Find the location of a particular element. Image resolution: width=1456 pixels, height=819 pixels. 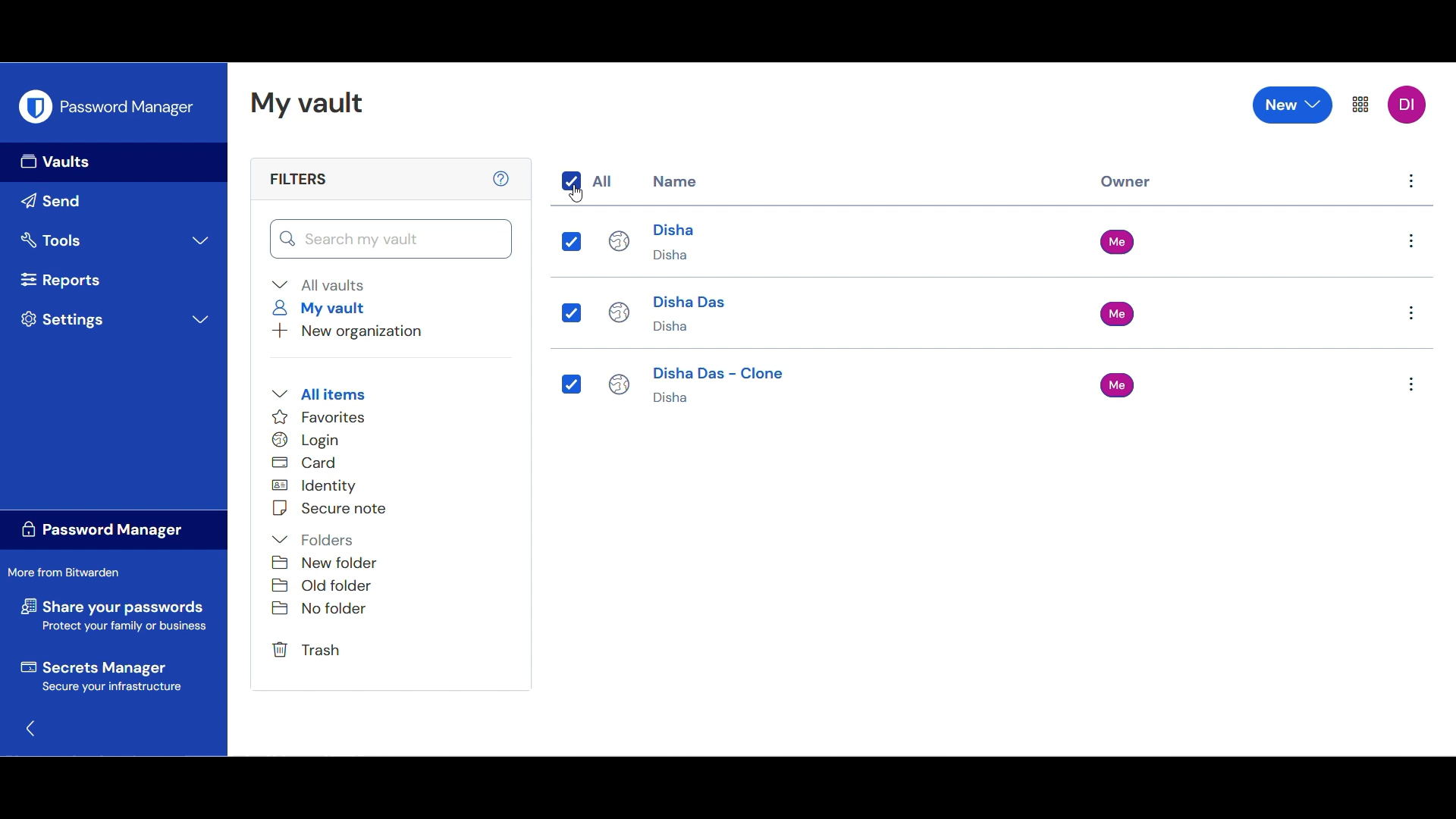

Indicates toggle on/off is located at coordinates (573, 241).